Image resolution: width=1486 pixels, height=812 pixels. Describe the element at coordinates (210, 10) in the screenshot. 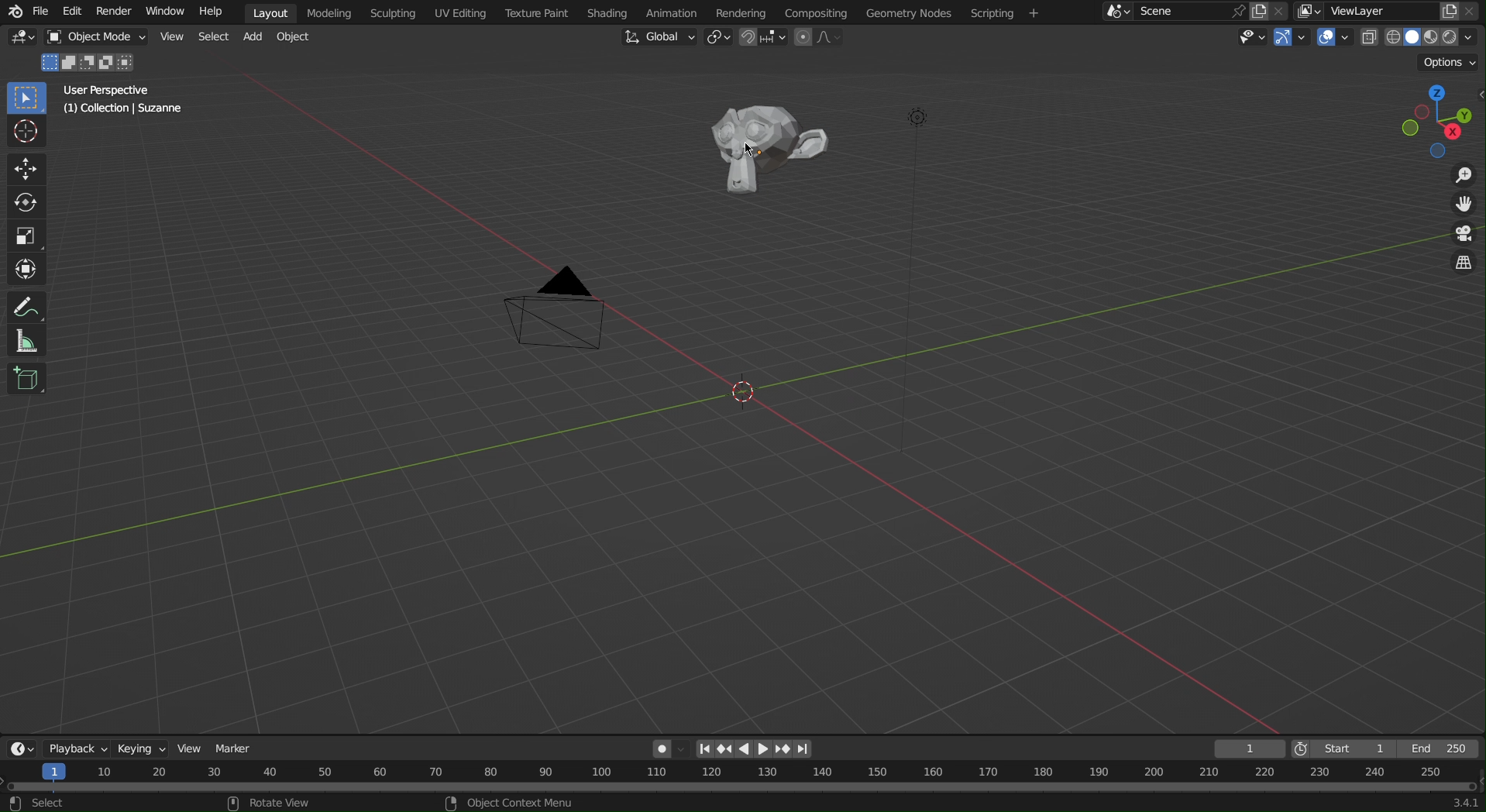

I see `Help` at that location.